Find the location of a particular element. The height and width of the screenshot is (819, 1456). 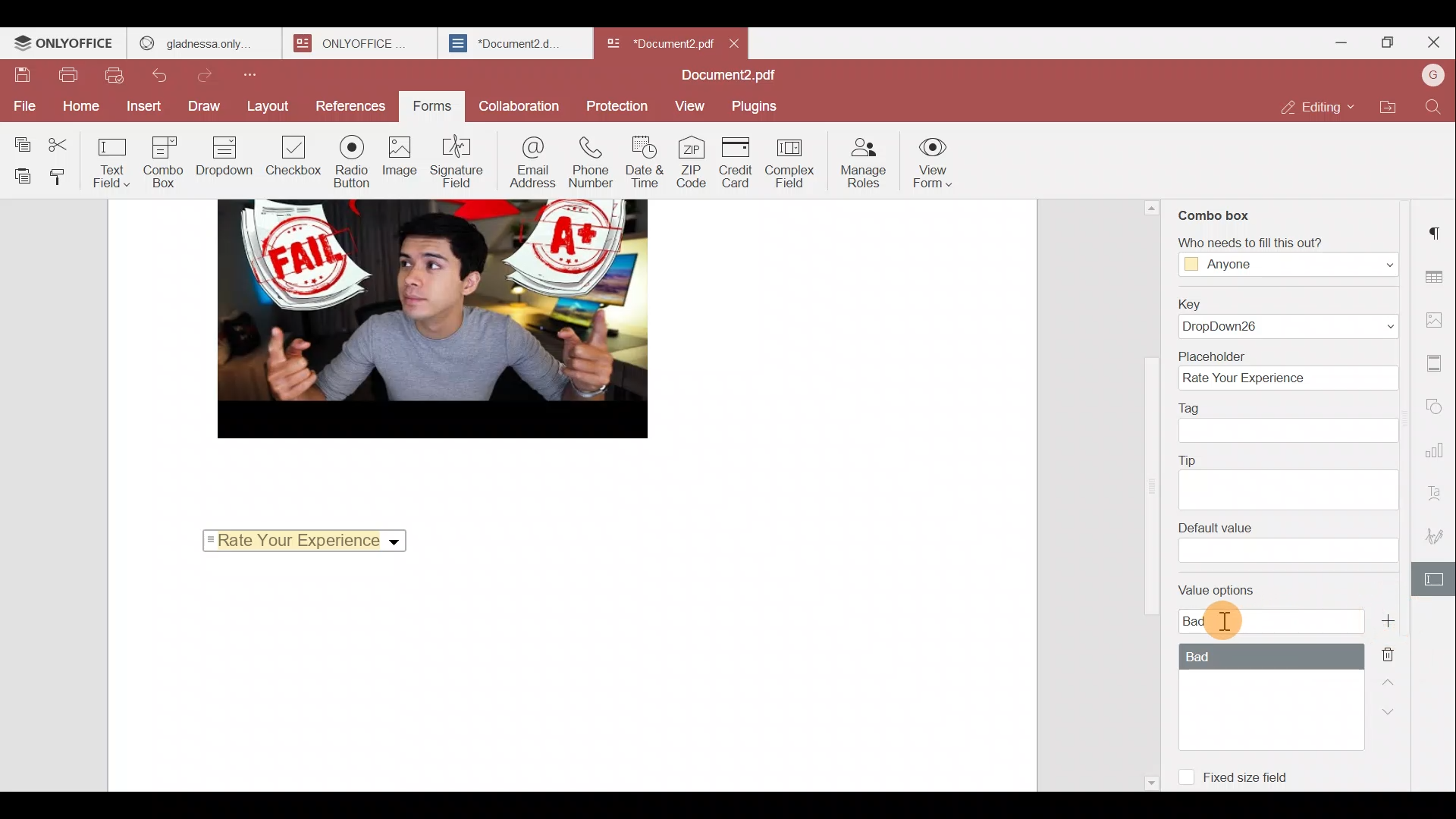

Paste is located at coordinates (20, 176).